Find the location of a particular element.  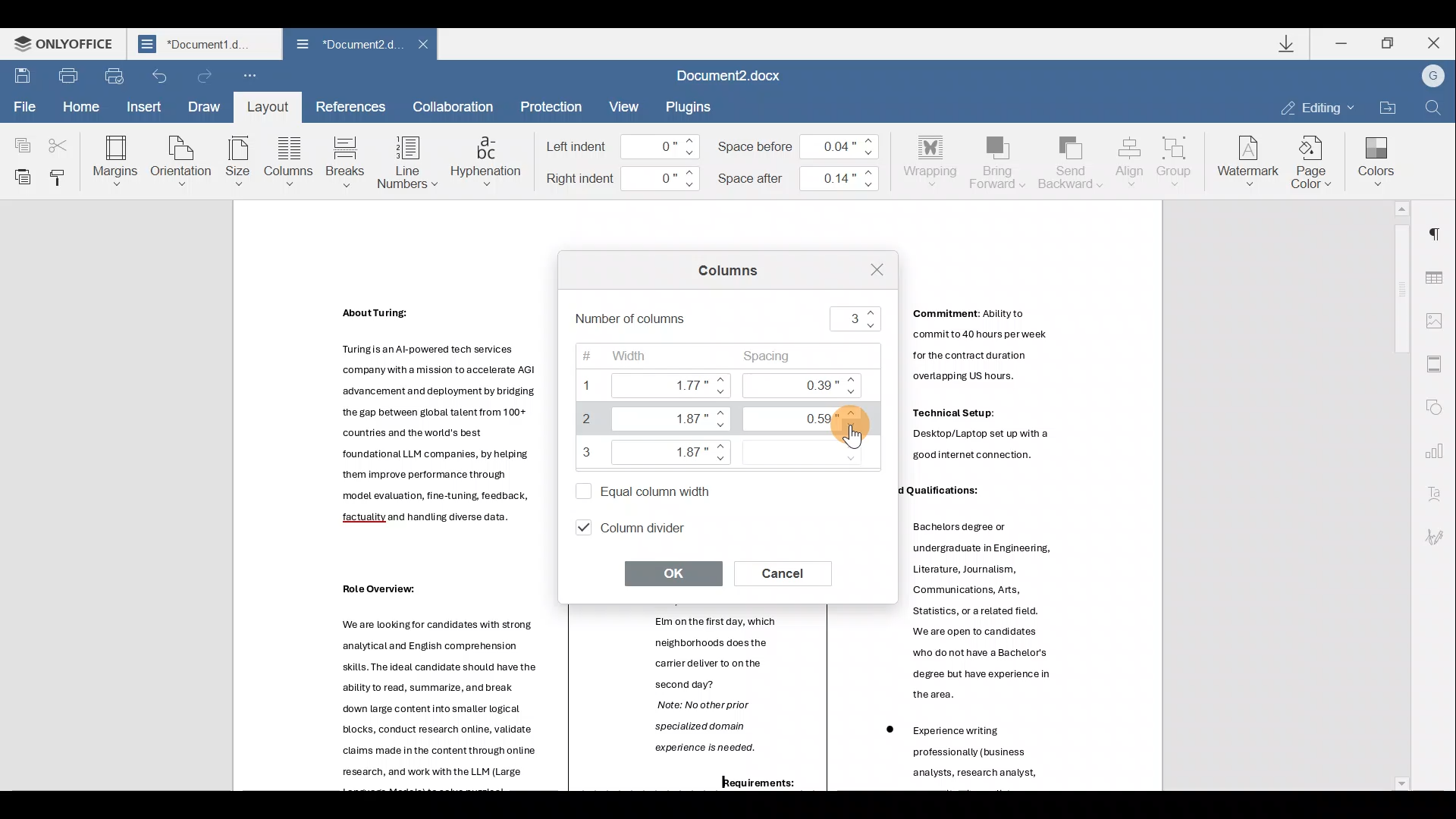

 is located at coordinates (982, 354).